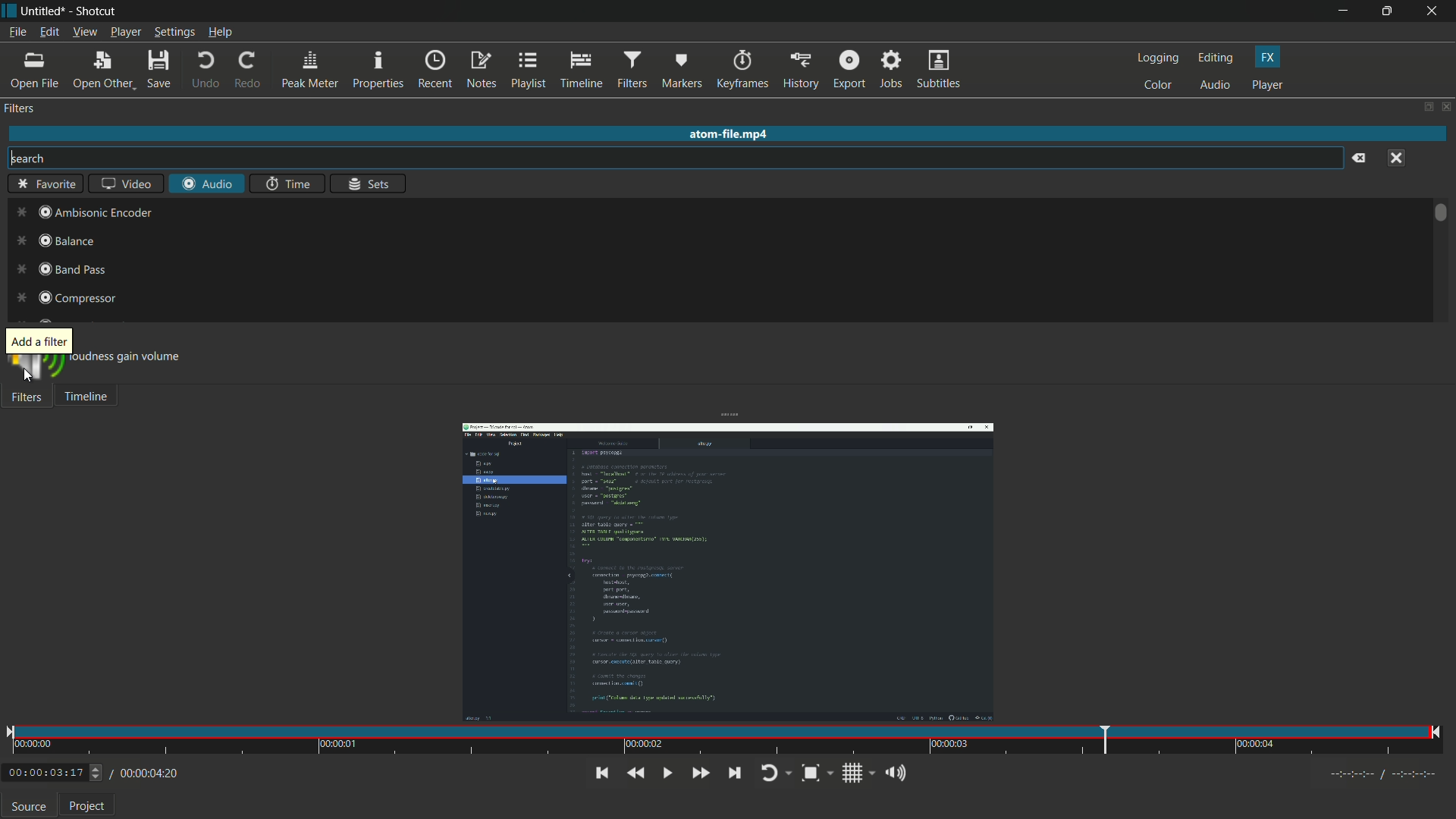 This screenshot has height=819, width=1456. Describe the element at coordinates (207, 184) in the screenshot. I see `audio` at that location.